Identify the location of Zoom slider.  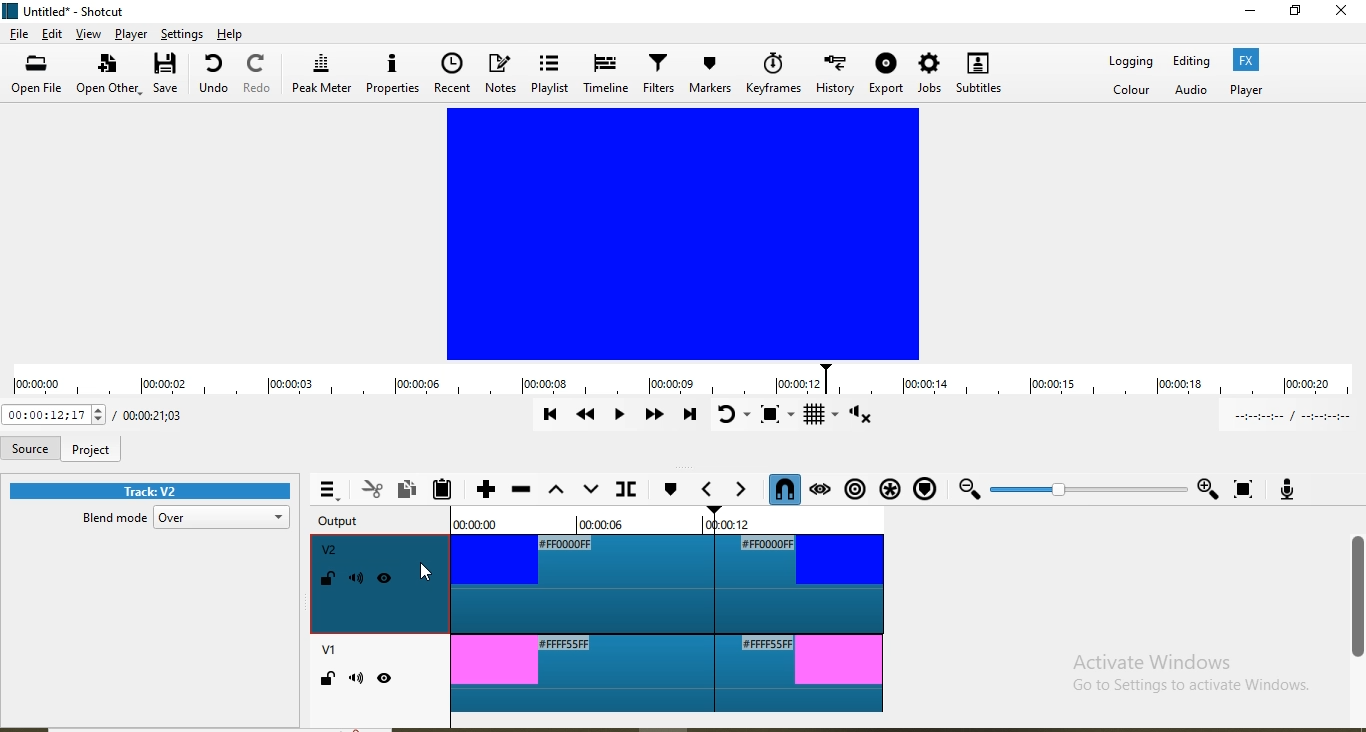
(1088, 488).